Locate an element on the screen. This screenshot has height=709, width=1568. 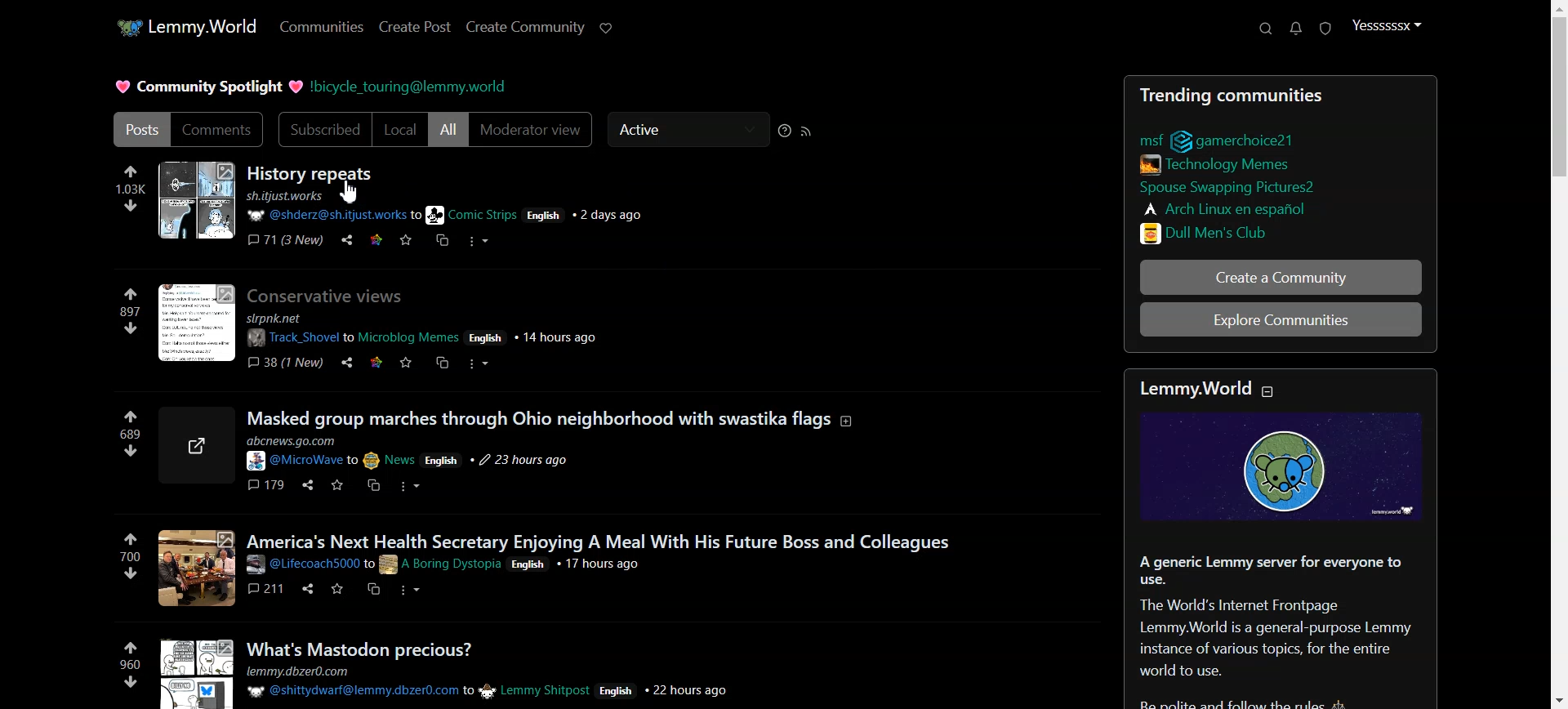
Imge is located at coordinates (198, 199).